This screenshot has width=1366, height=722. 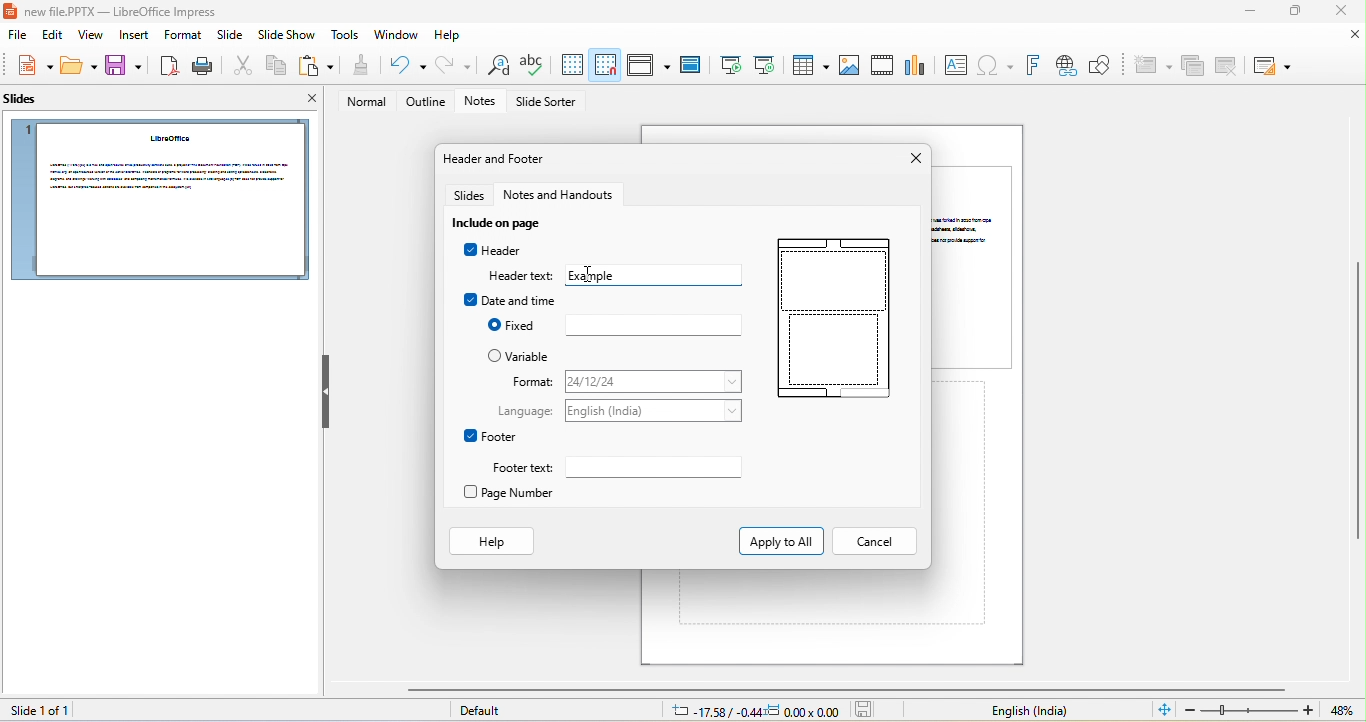 What do you see at coordinates (805, 597) in the screenshot?
I see `click here to add notes` at bounding box center [805, 597].